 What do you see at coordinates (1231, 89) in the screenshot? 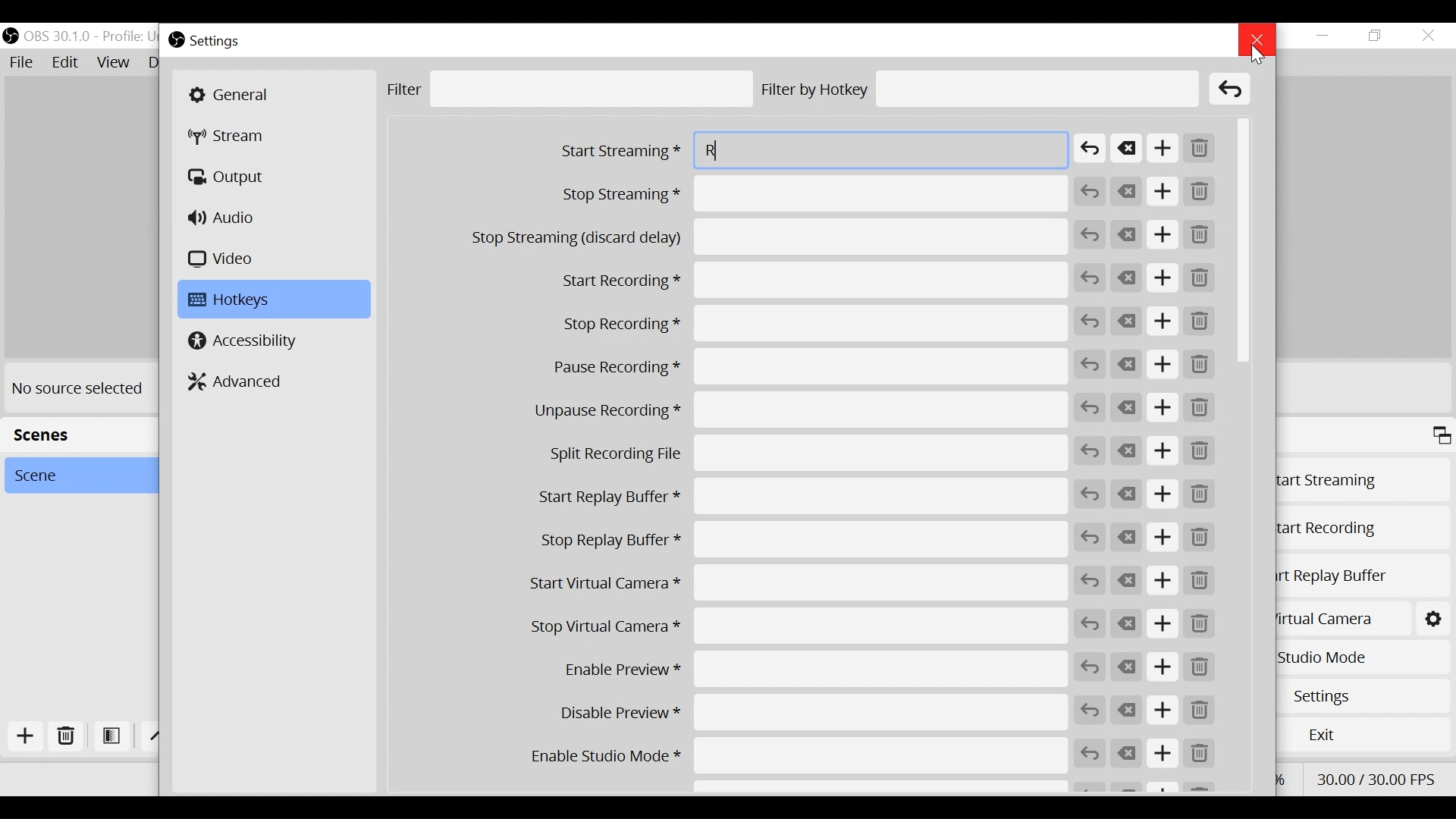
I see `Clear` at bounding box center [1231, 89].